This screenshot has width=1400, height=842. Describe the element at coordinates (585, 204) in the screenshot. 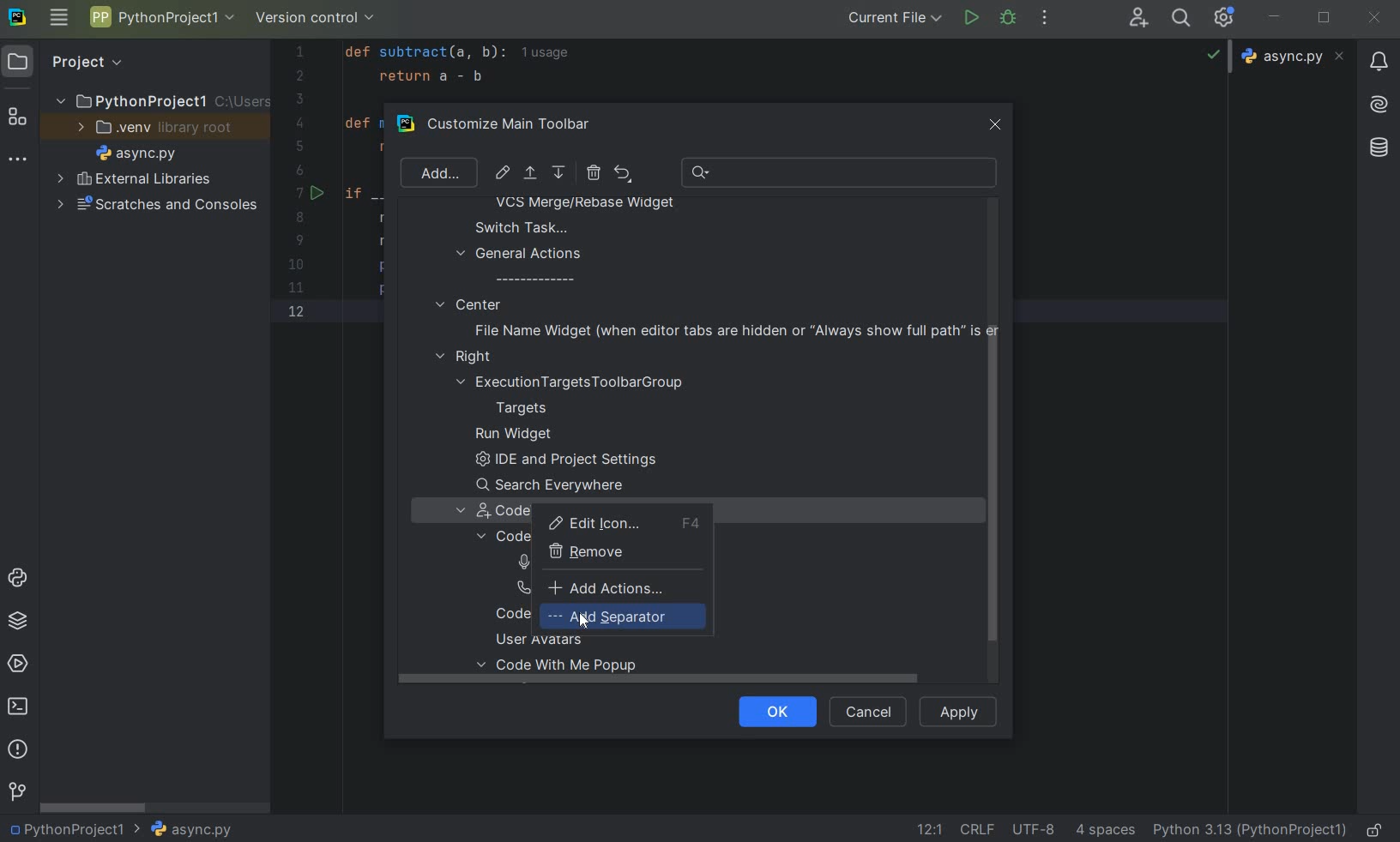

I see `VCS Merge/rebase widget` at that location.